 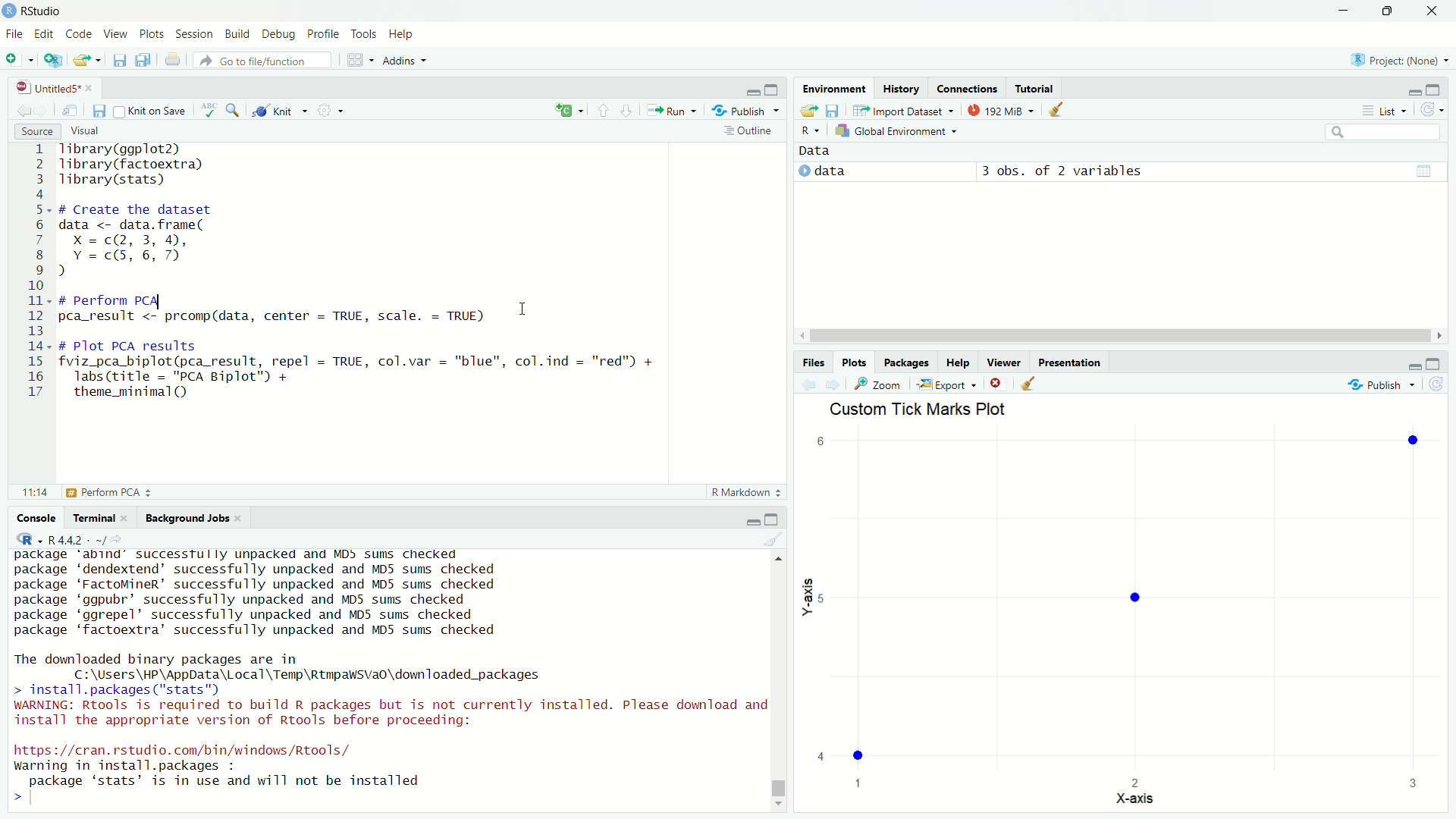 I want to click on refresh, so click(x=1438, y=384).